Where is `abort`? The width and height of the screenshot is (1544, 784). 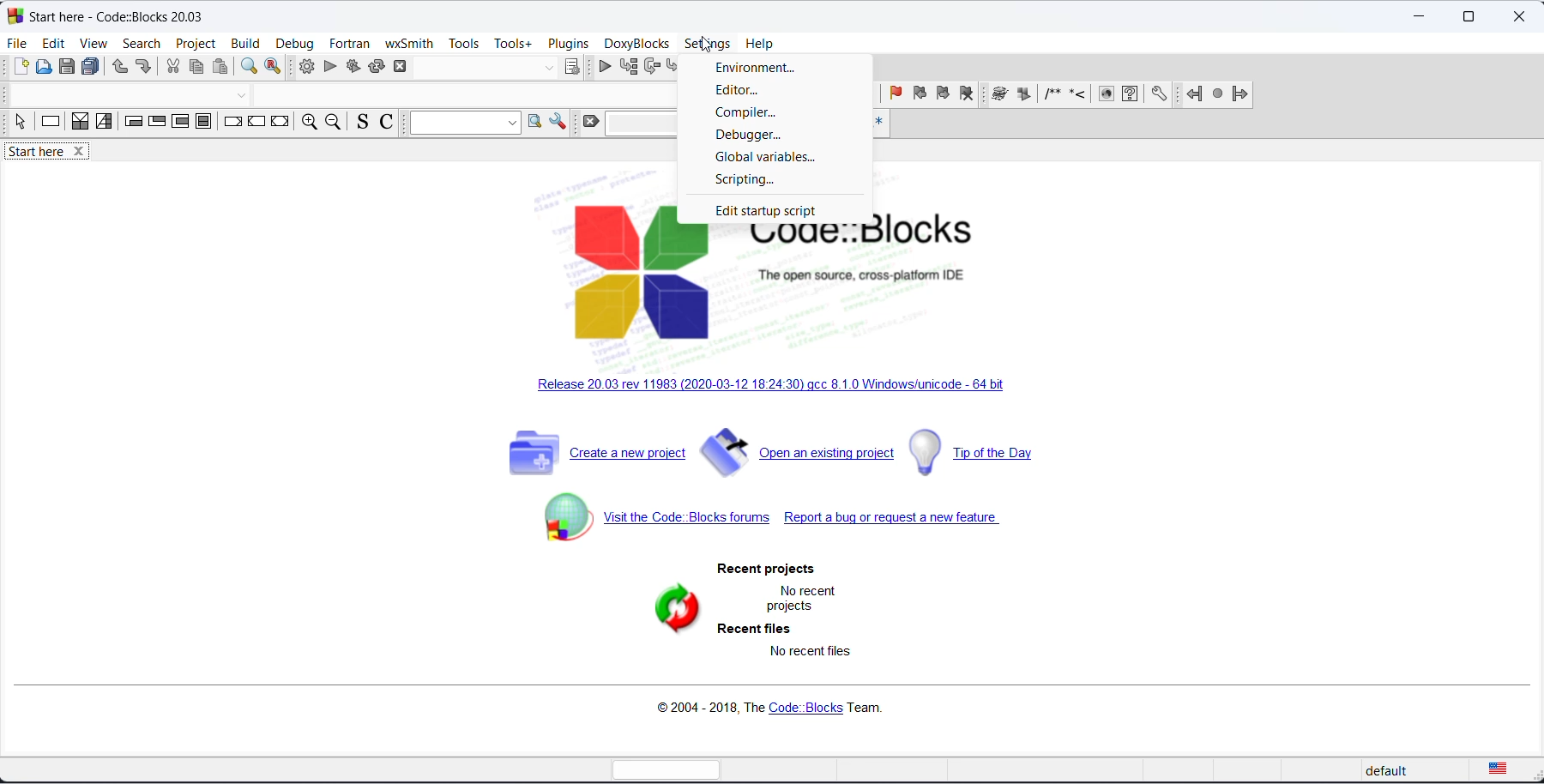
abort is located at coordinates (400, 65).